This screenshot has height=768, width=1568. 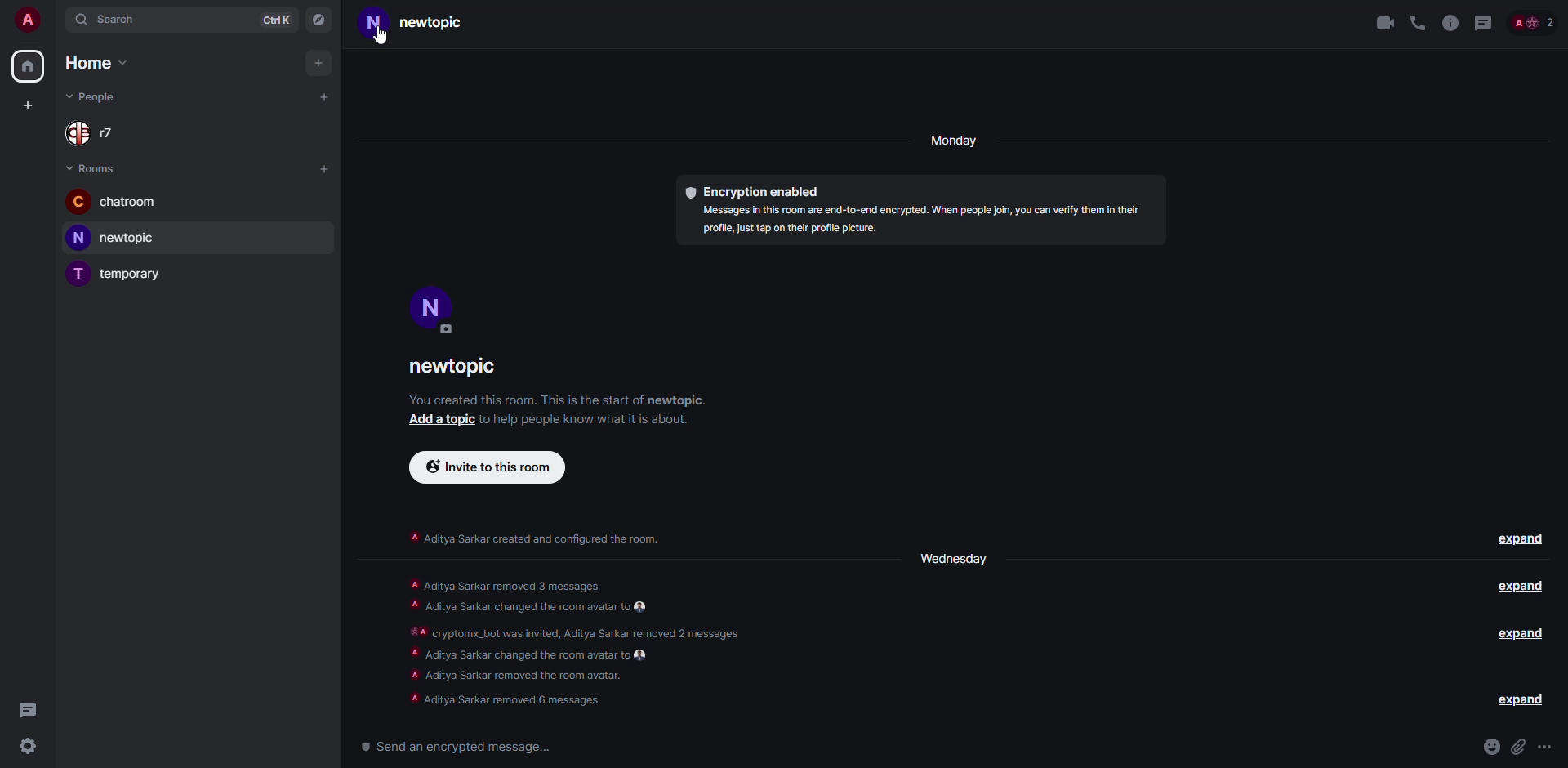 What do you see at coordinates (113, 20) in the screenshot?
I see `search` at bounding box center [113, 20].